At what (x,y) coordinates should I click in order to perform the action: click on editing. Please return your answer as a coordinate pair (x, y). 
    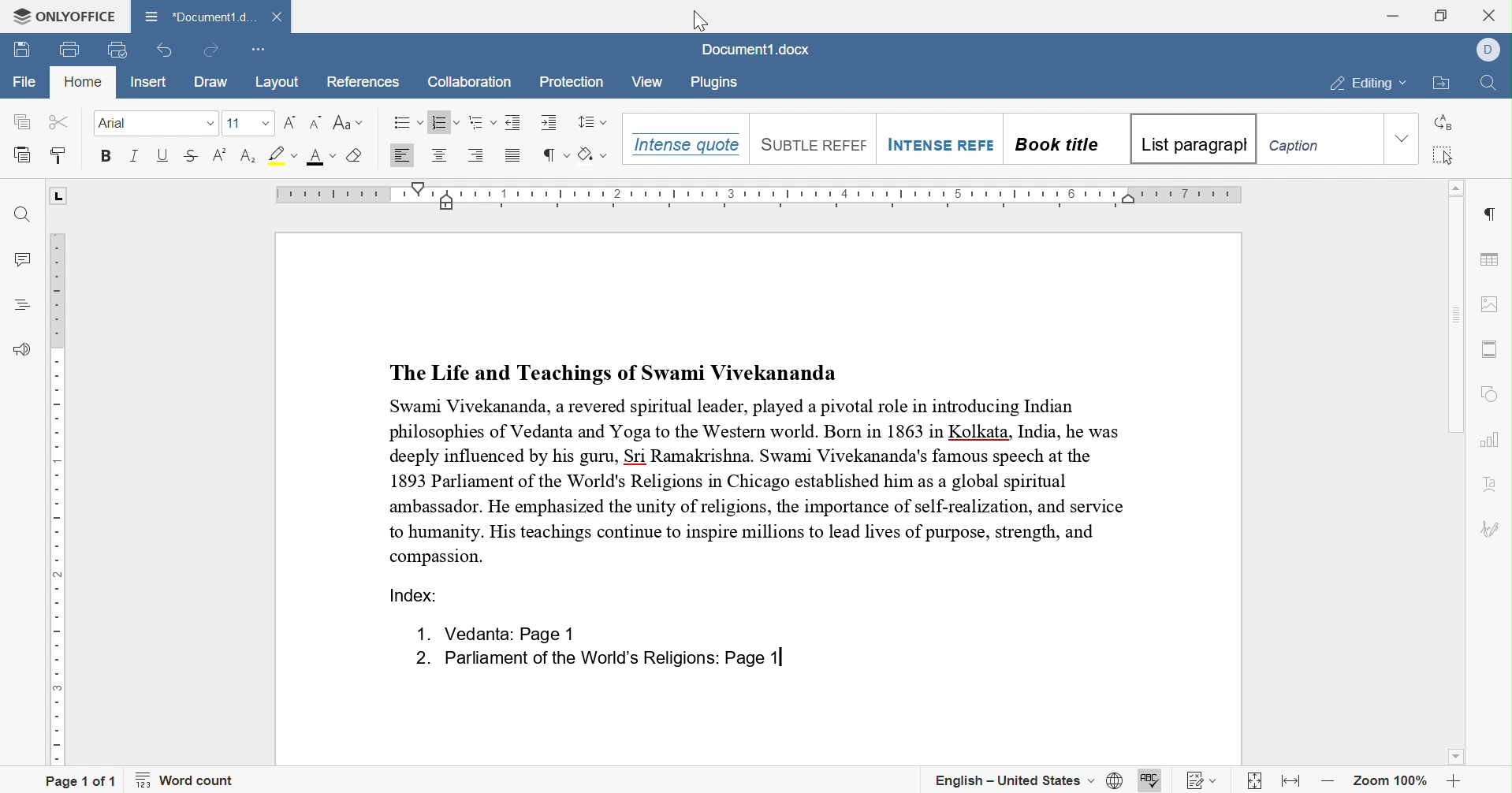
    Looking at the image, I should click on (1370, 85).